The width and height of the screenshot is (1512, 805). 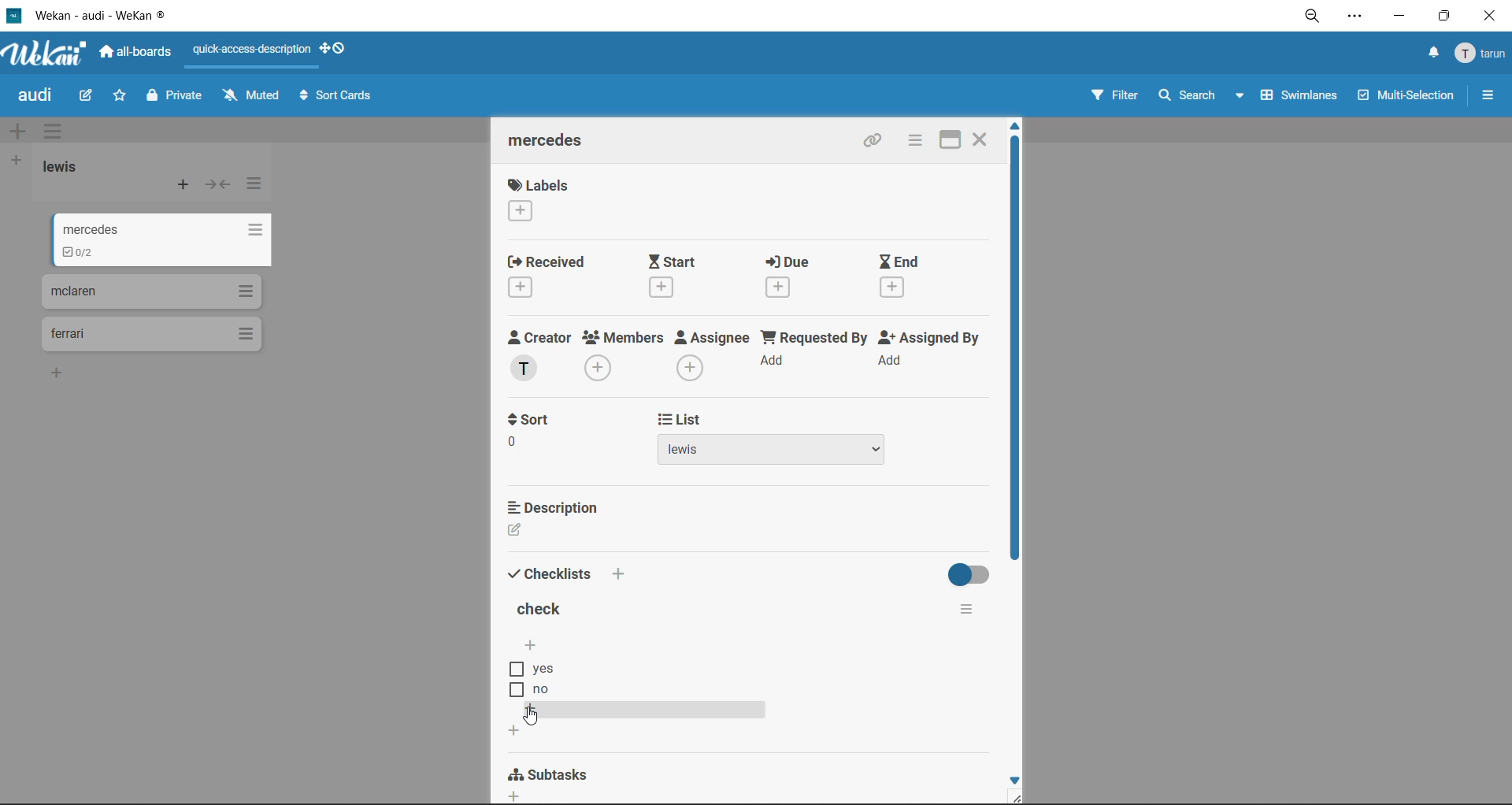 What do you see at coordinates (552, 140) in the screenshot?
I see `mercedes` at bounding box center [552, 140].